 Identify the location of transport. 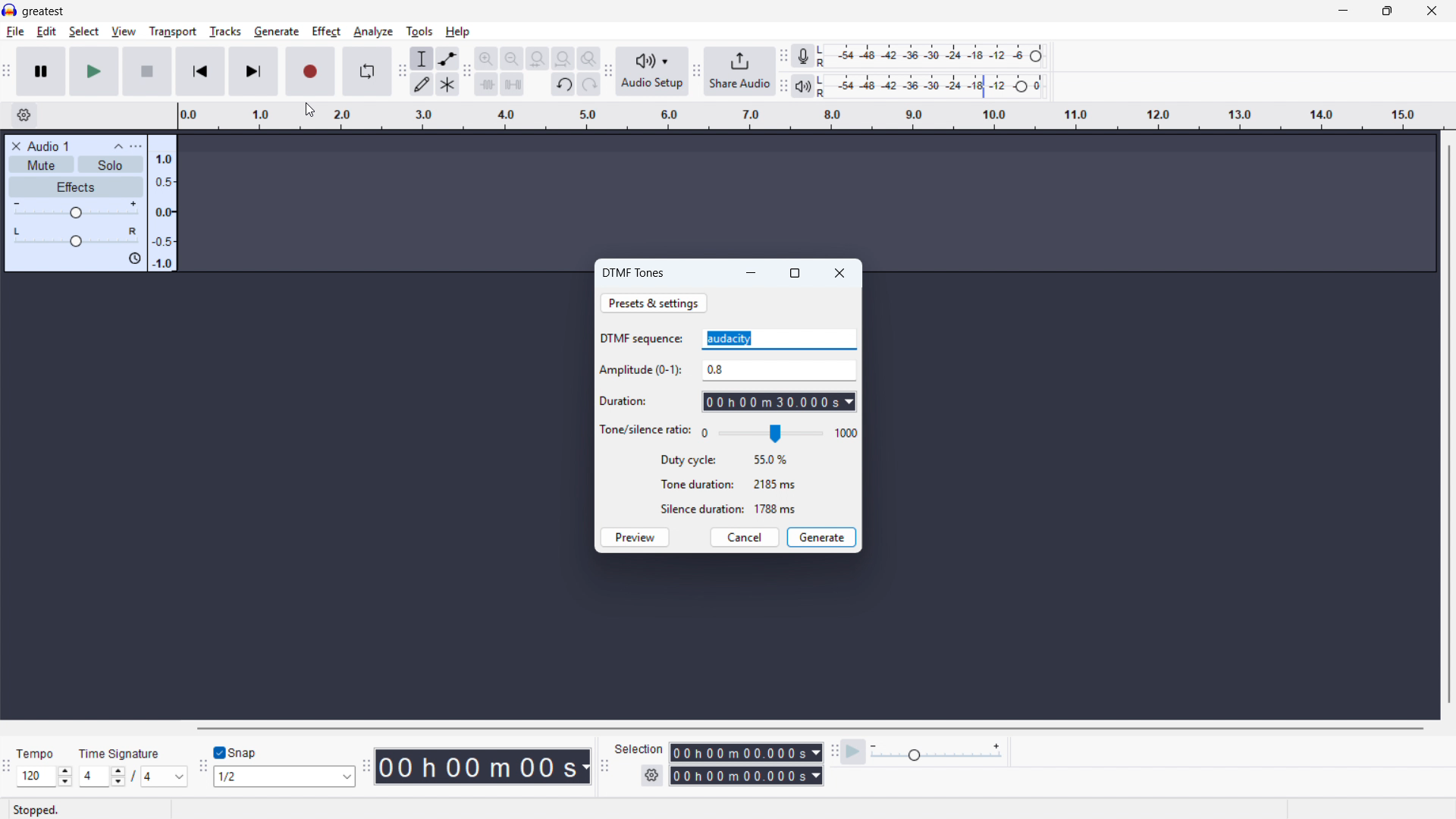
(172, 31).